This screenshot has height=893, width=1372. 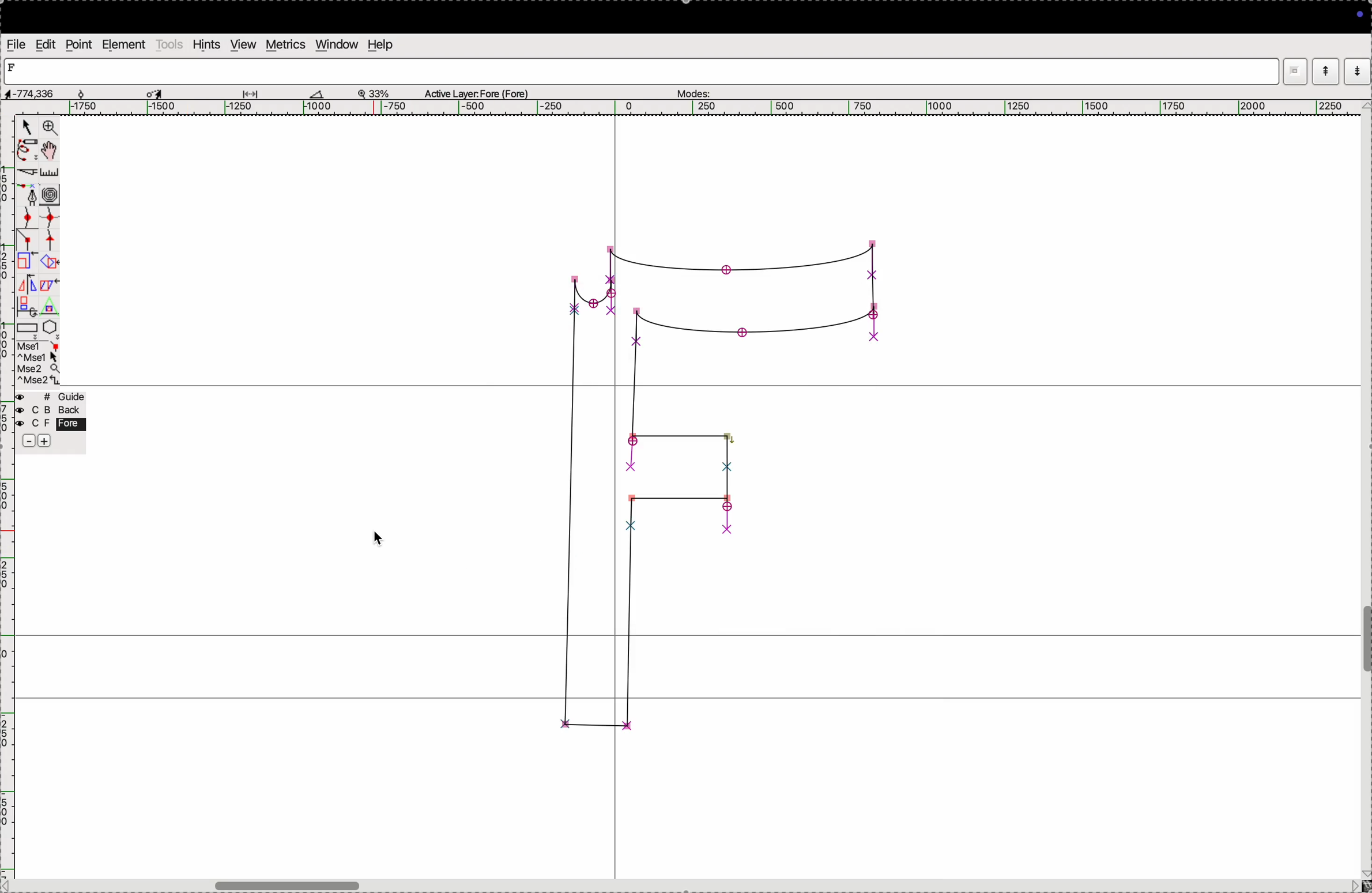 I want to click on duplicate, so click(x=24, y=307).